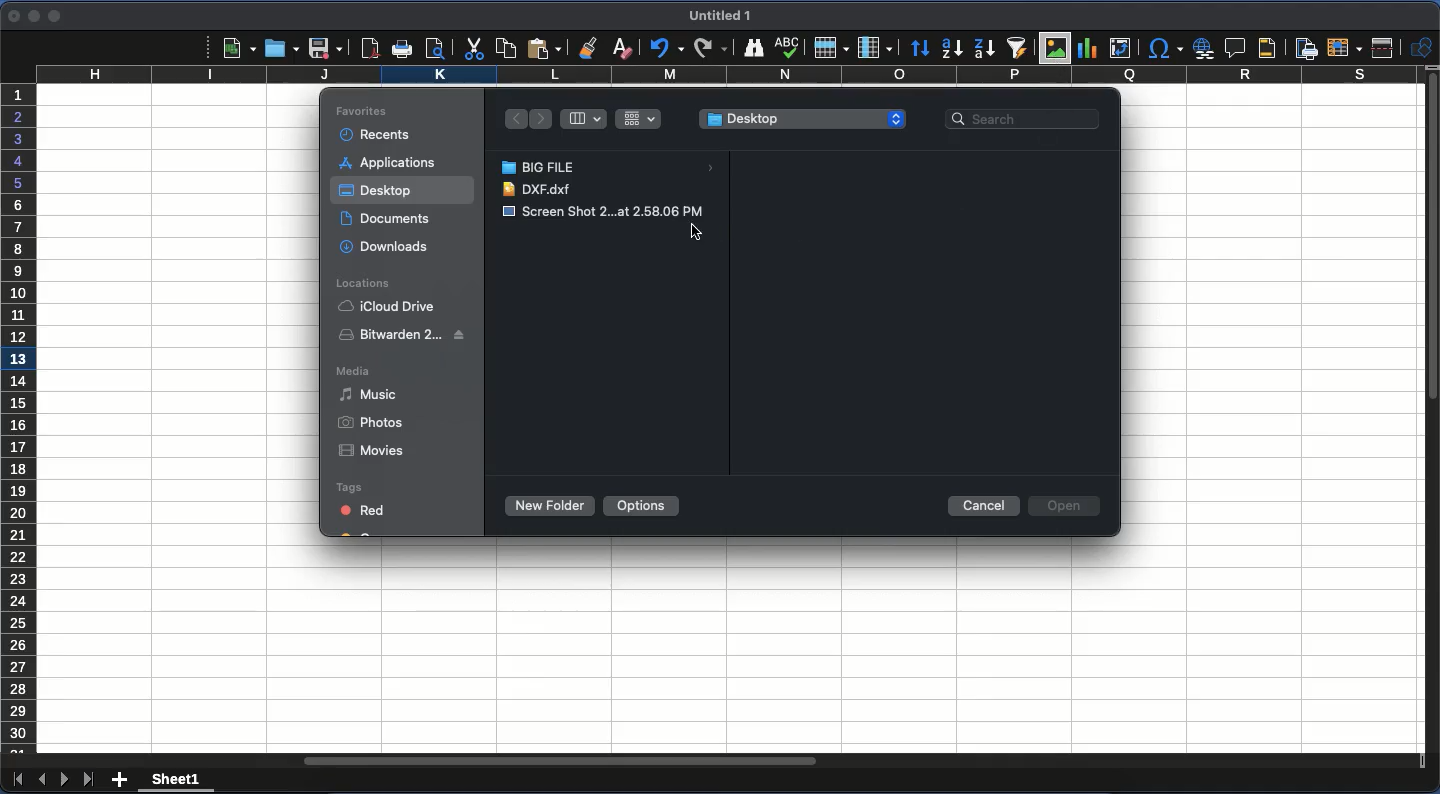 The image size is (1440, 794). I want to click on next sheet, so click(65, 779).